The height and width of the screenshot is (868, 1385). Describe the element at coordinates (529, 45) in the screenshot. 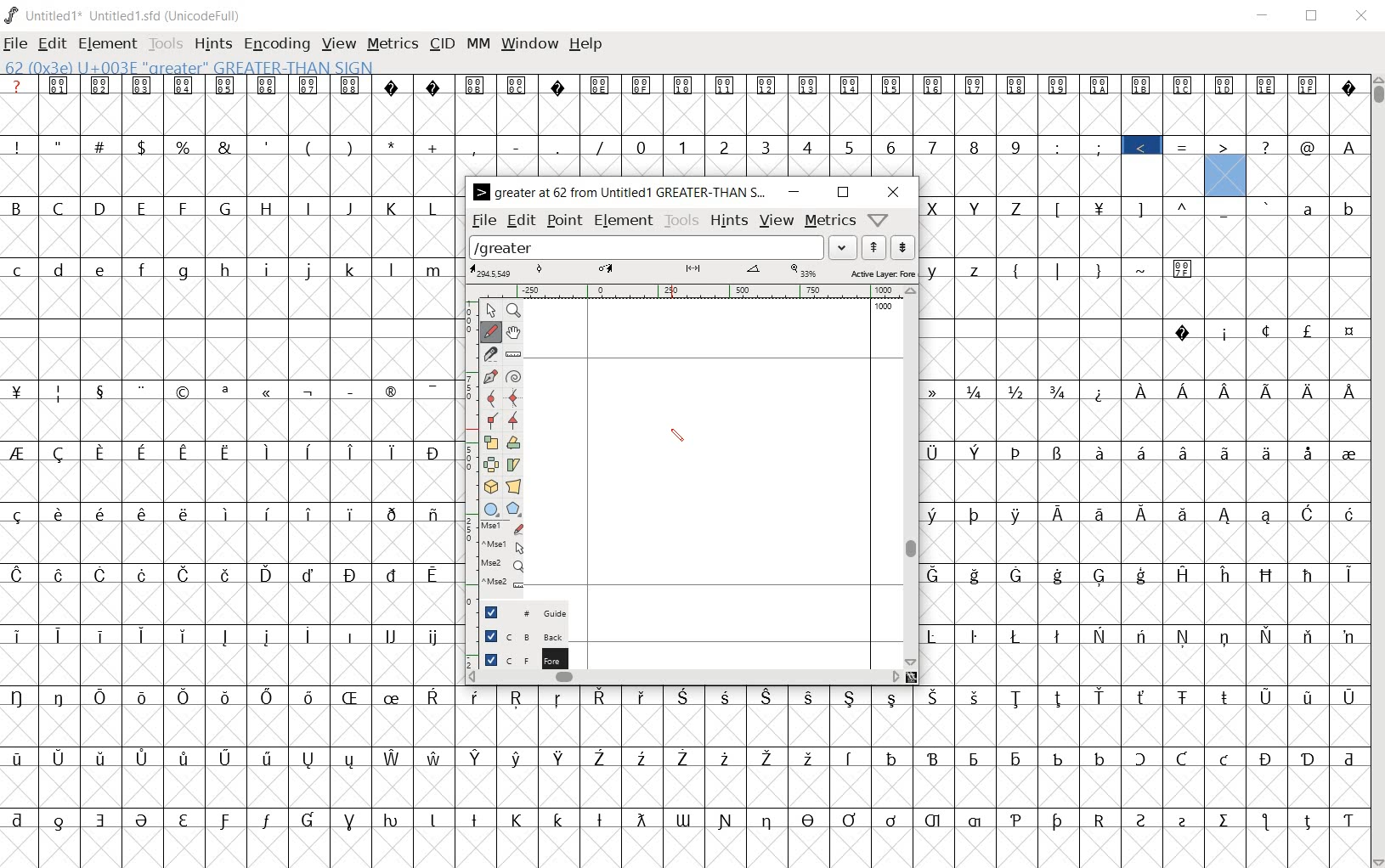

I see `window` at that location.